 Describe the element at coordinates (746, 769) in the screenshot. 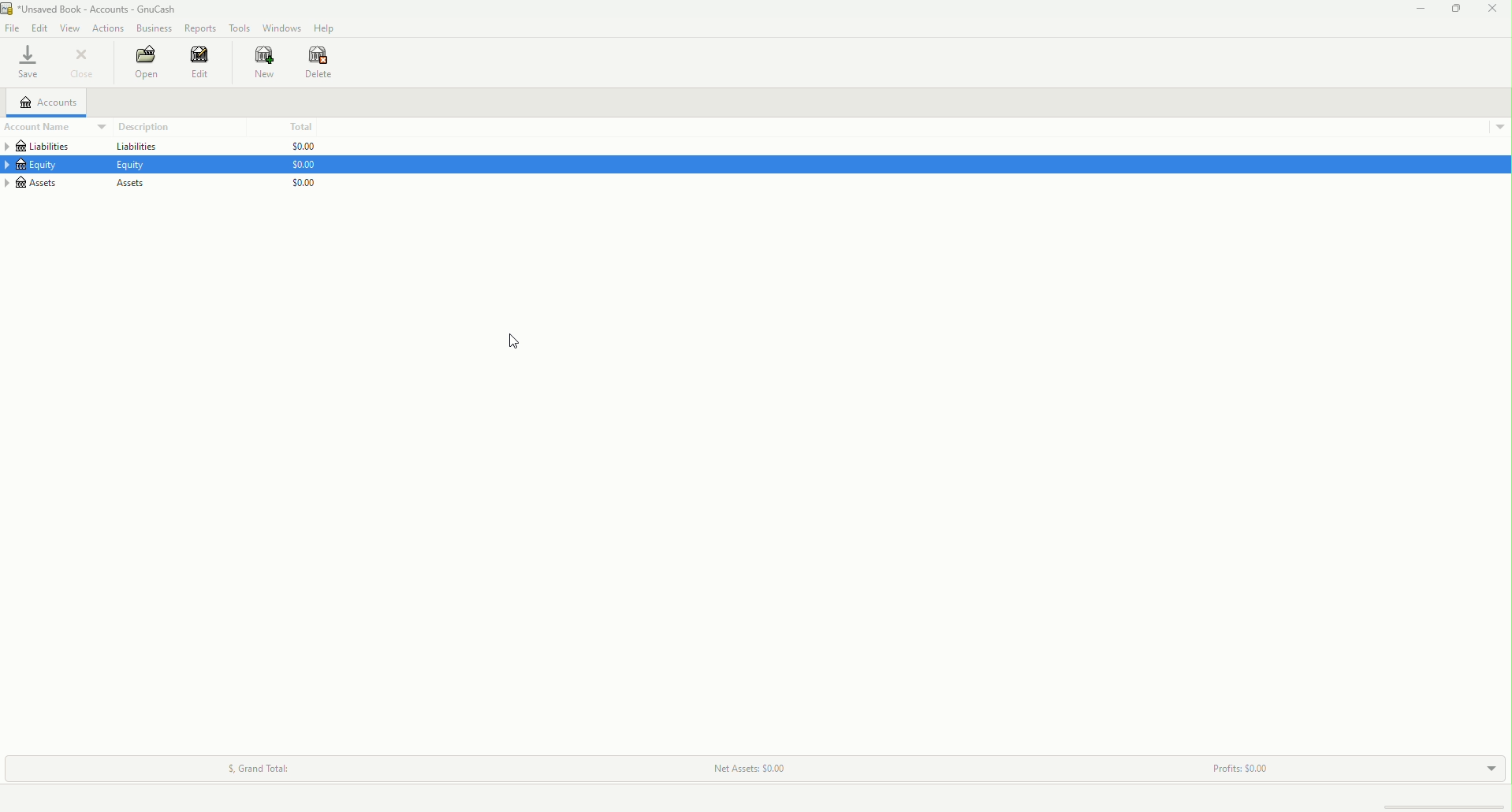

I see `Net Assets` at that location.